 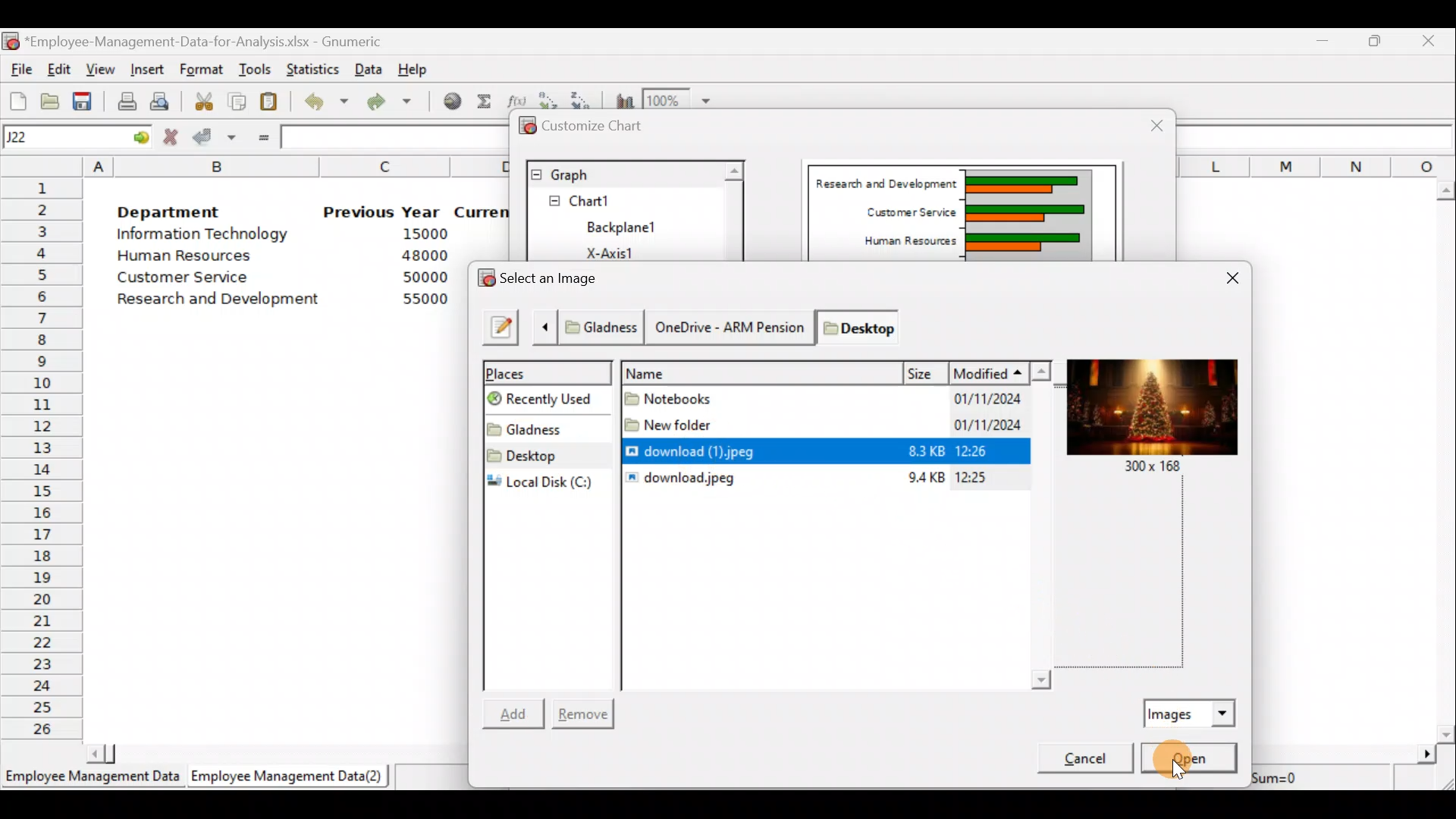 I want to click on Chart Preview, so click(x=1025, y=214).